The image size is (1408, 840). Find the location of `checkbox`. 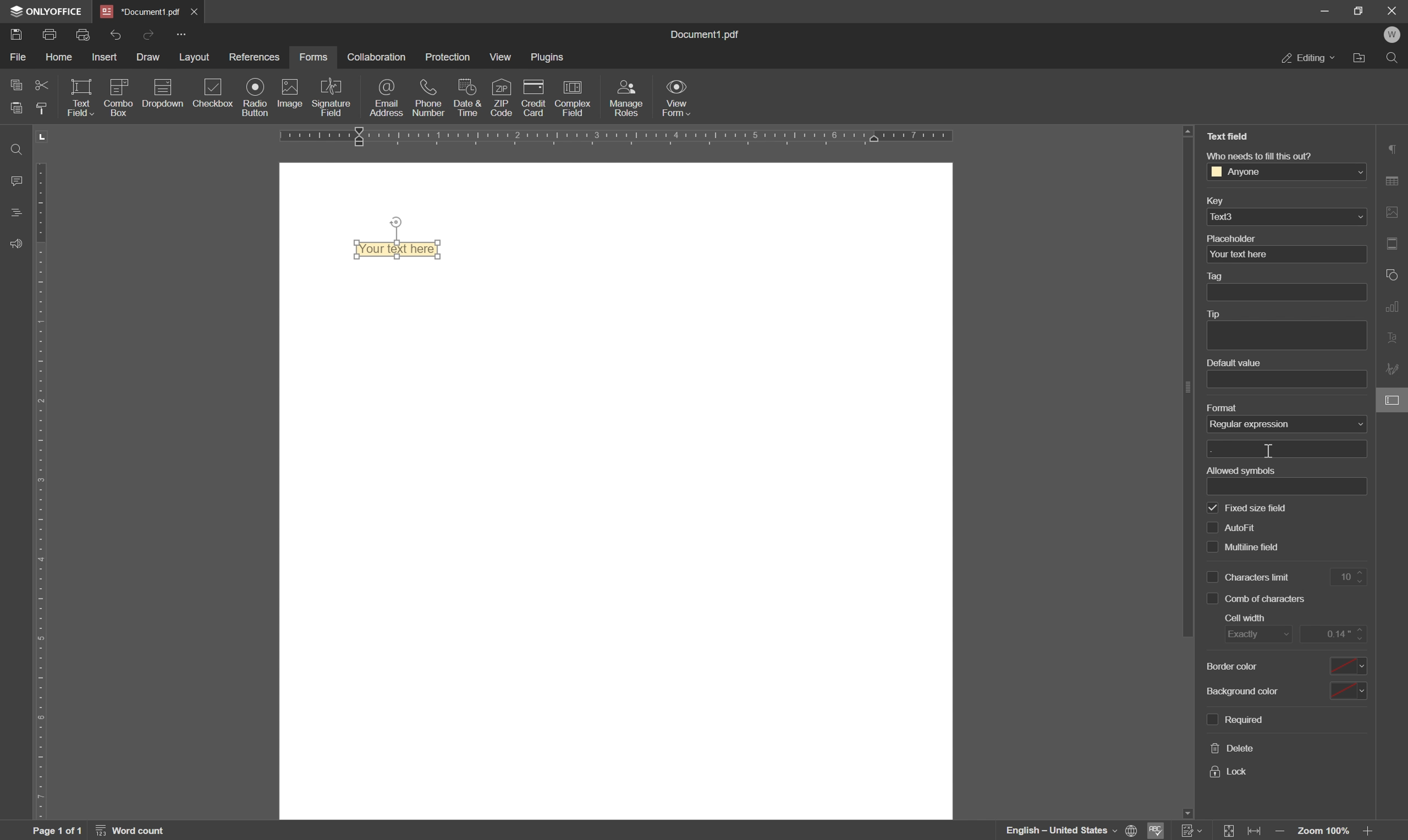

checkbox is located at coordinates (1211, 718).